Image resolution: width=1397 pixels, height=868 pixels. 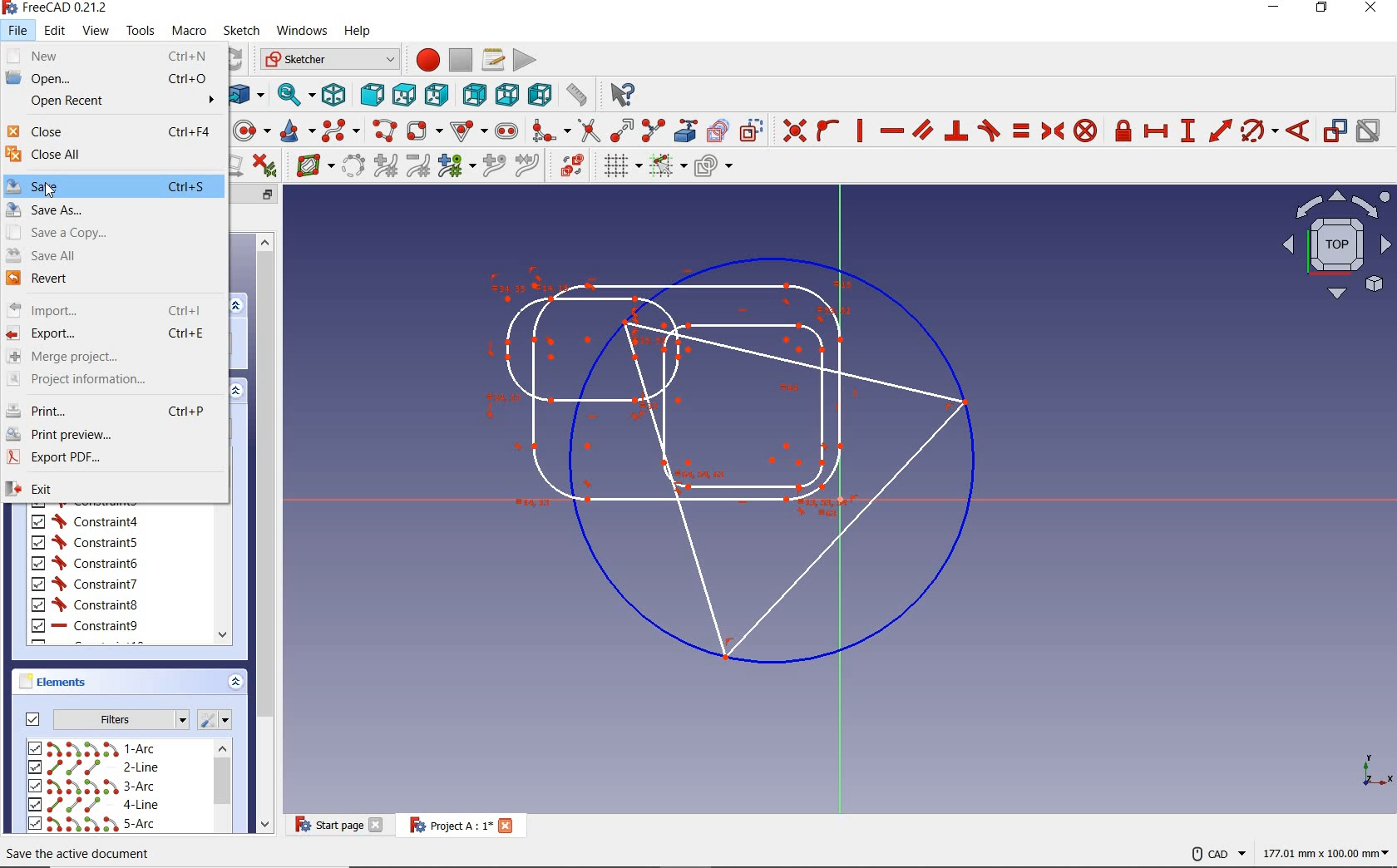 I want to click on top, so click(x=403, y=94).